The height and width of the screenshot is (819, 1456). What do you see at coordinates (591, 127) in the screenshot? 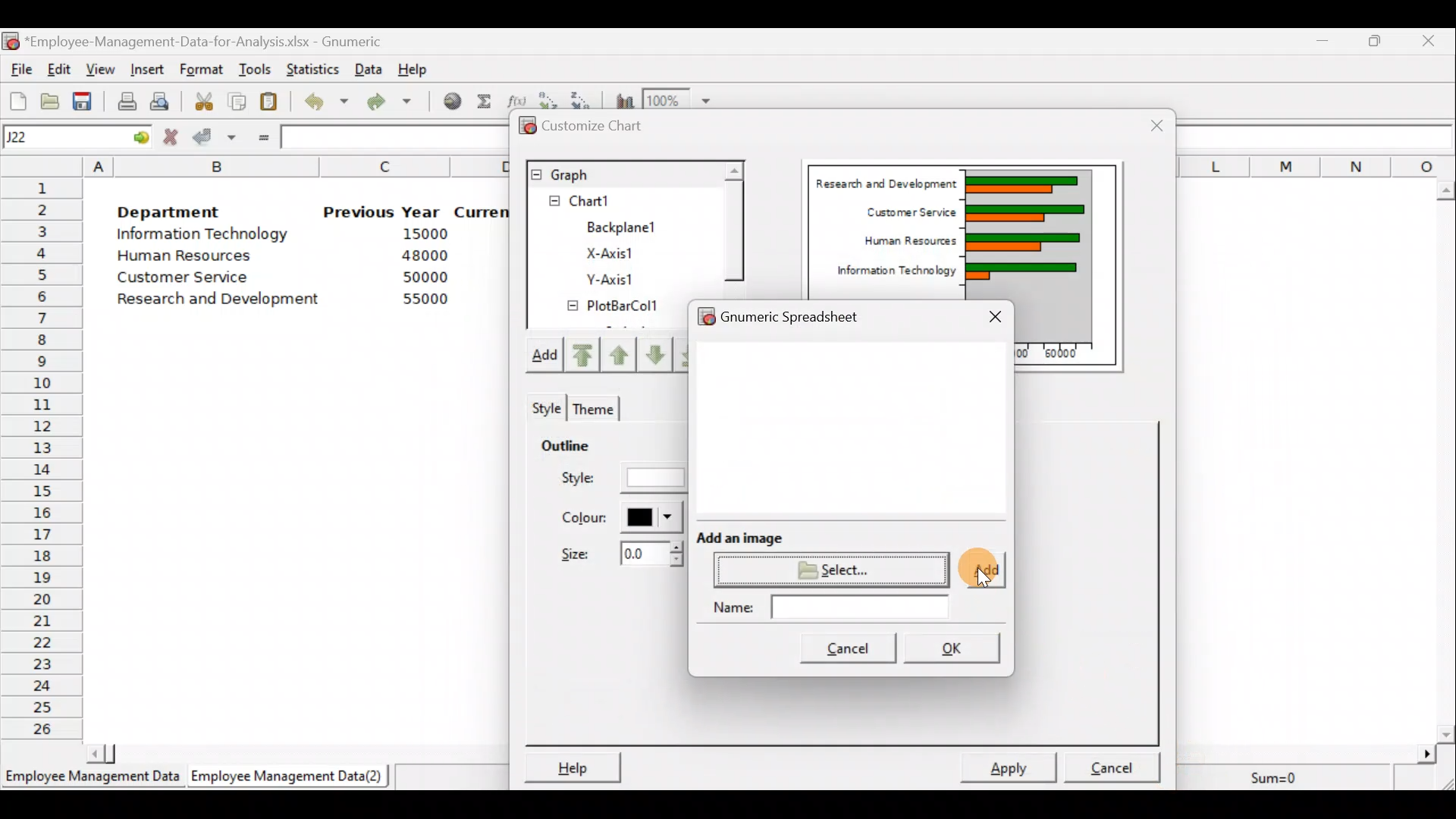
I see `Customize chart` at bounding box center [591, 127].